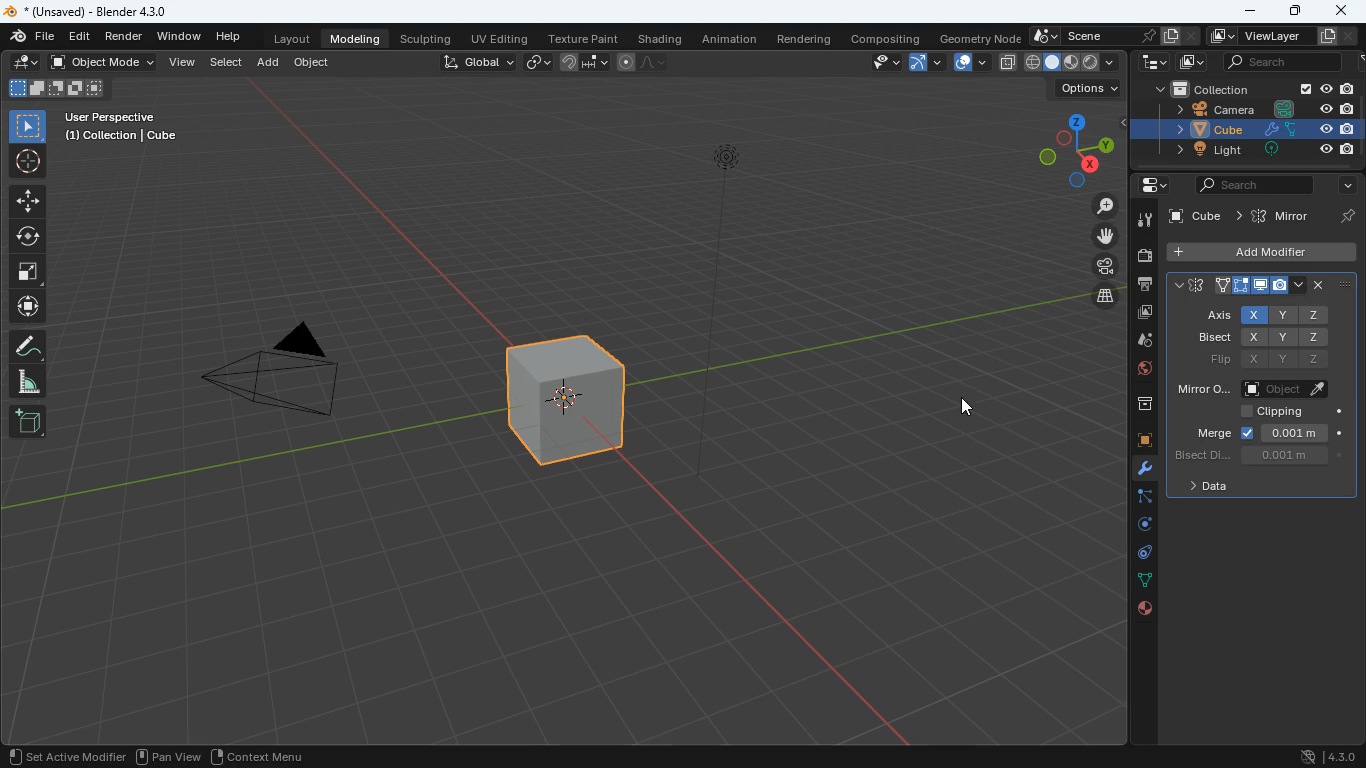  What do you see at coordinates (1297, 12) in the screenshot?
I see `maximize` at bounding box center [1297, 12].